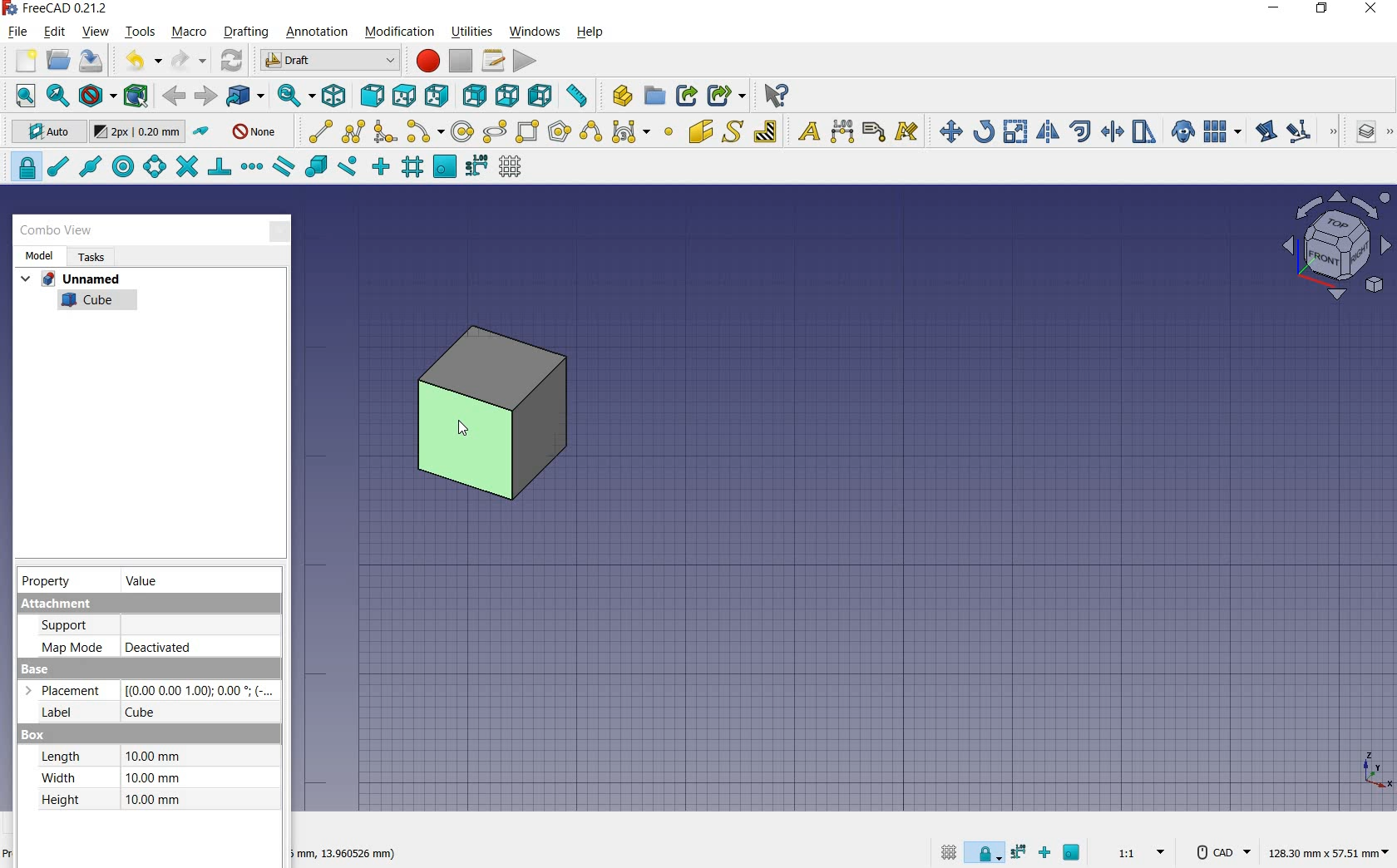  What do you see at coordinates (189, 33) in the screenshot?
I see `macro` at bounding box center [189, 33].